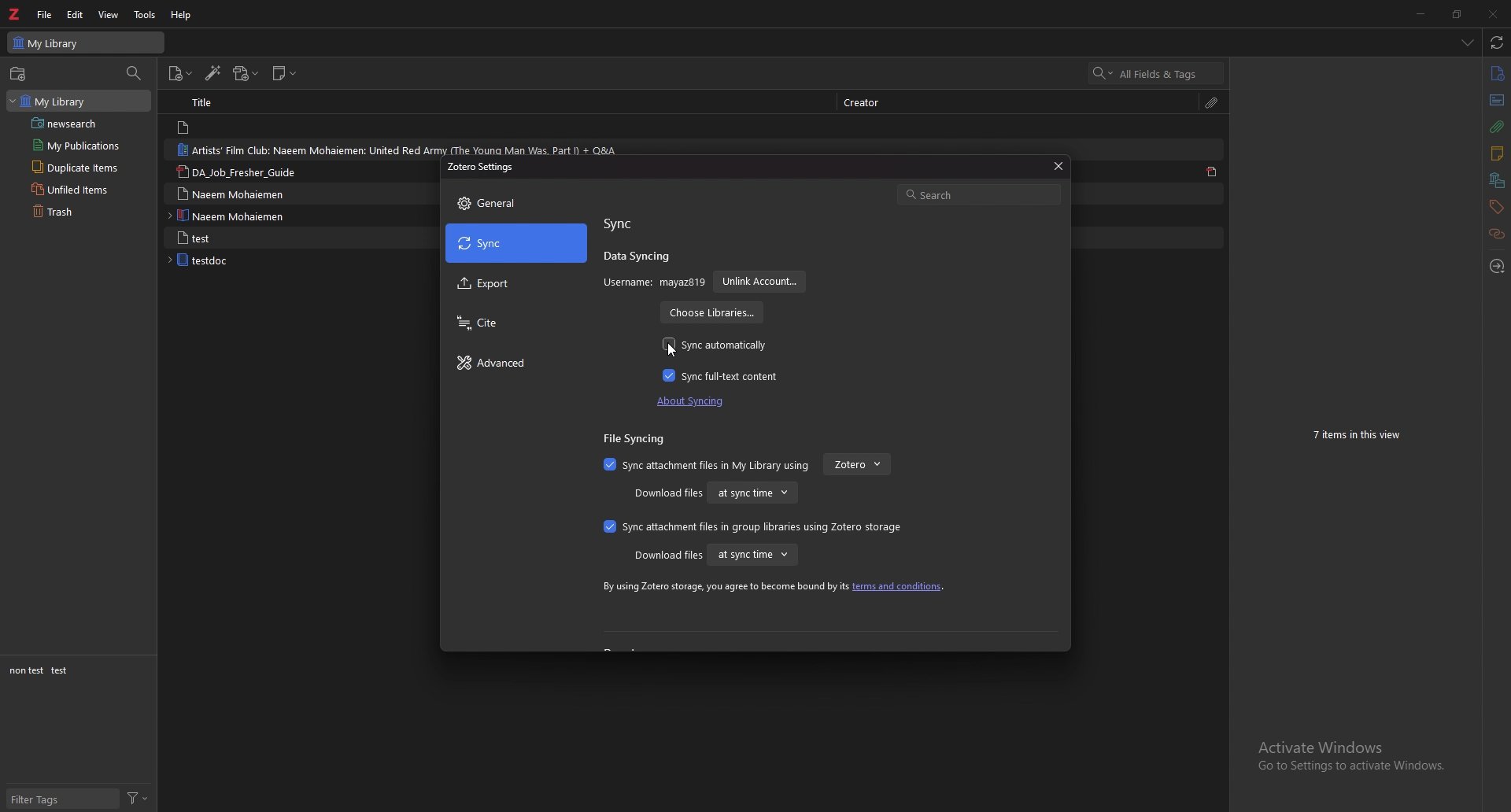 The width and height of the screenshot is (1511, 812). What do you see at coordinates (240, 193) in the screenshot?
I see `naeem mohaiemen` at bounding box center [240, 193].